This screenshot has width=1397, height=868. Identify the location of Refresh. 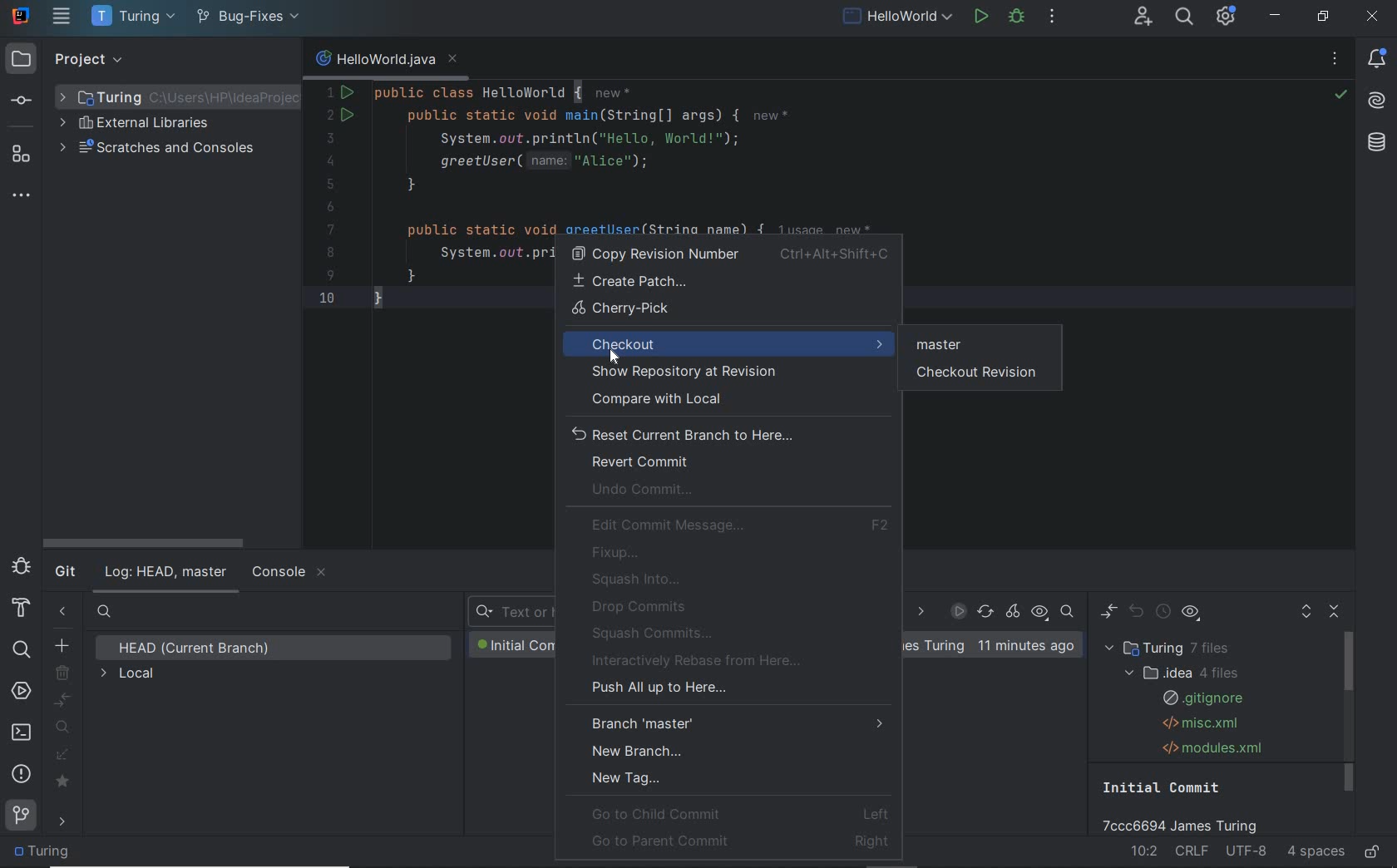
(985, 613).